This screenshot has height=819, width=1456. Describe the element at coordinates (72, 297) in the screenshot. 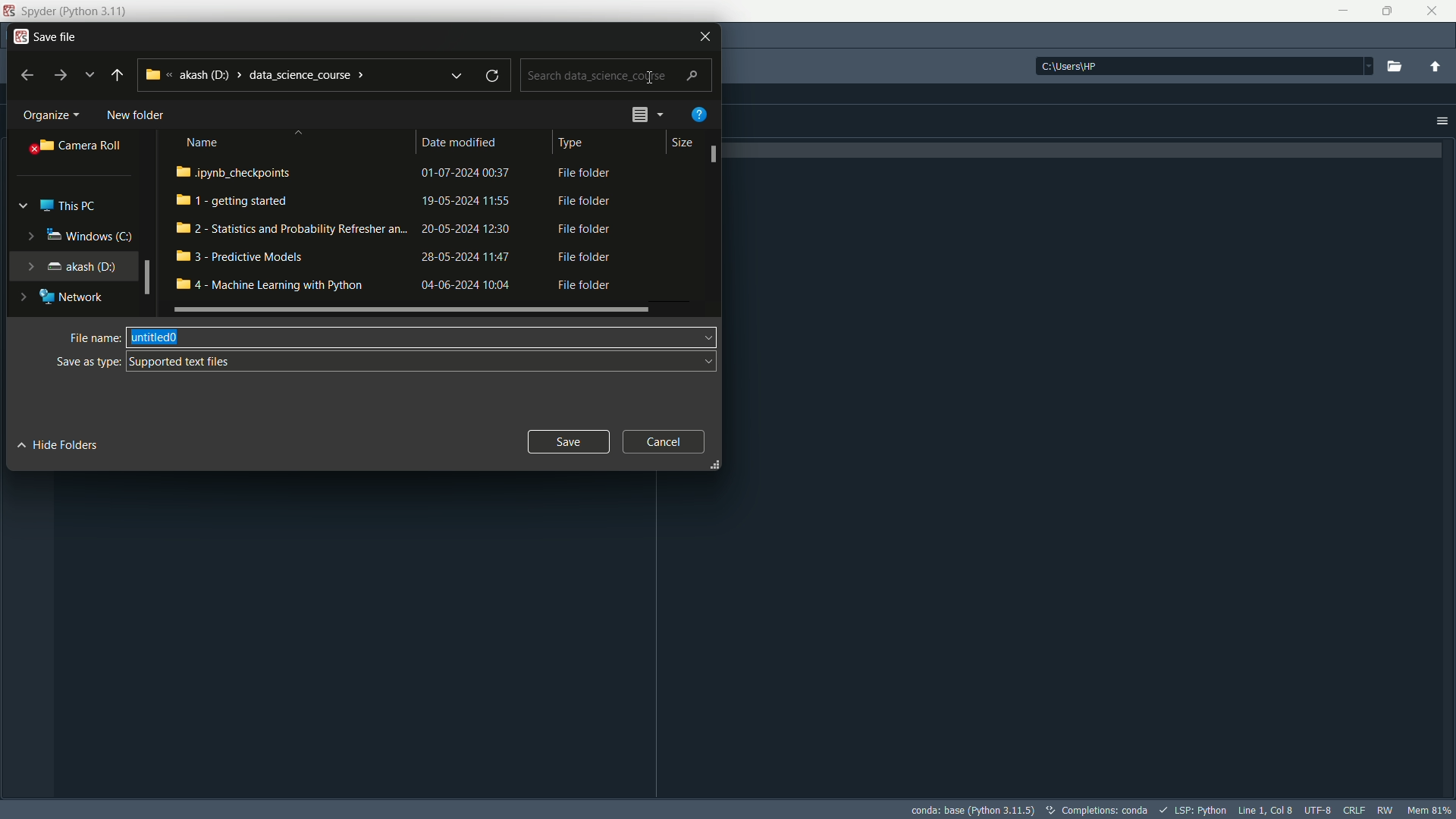

I see `network` at that location.